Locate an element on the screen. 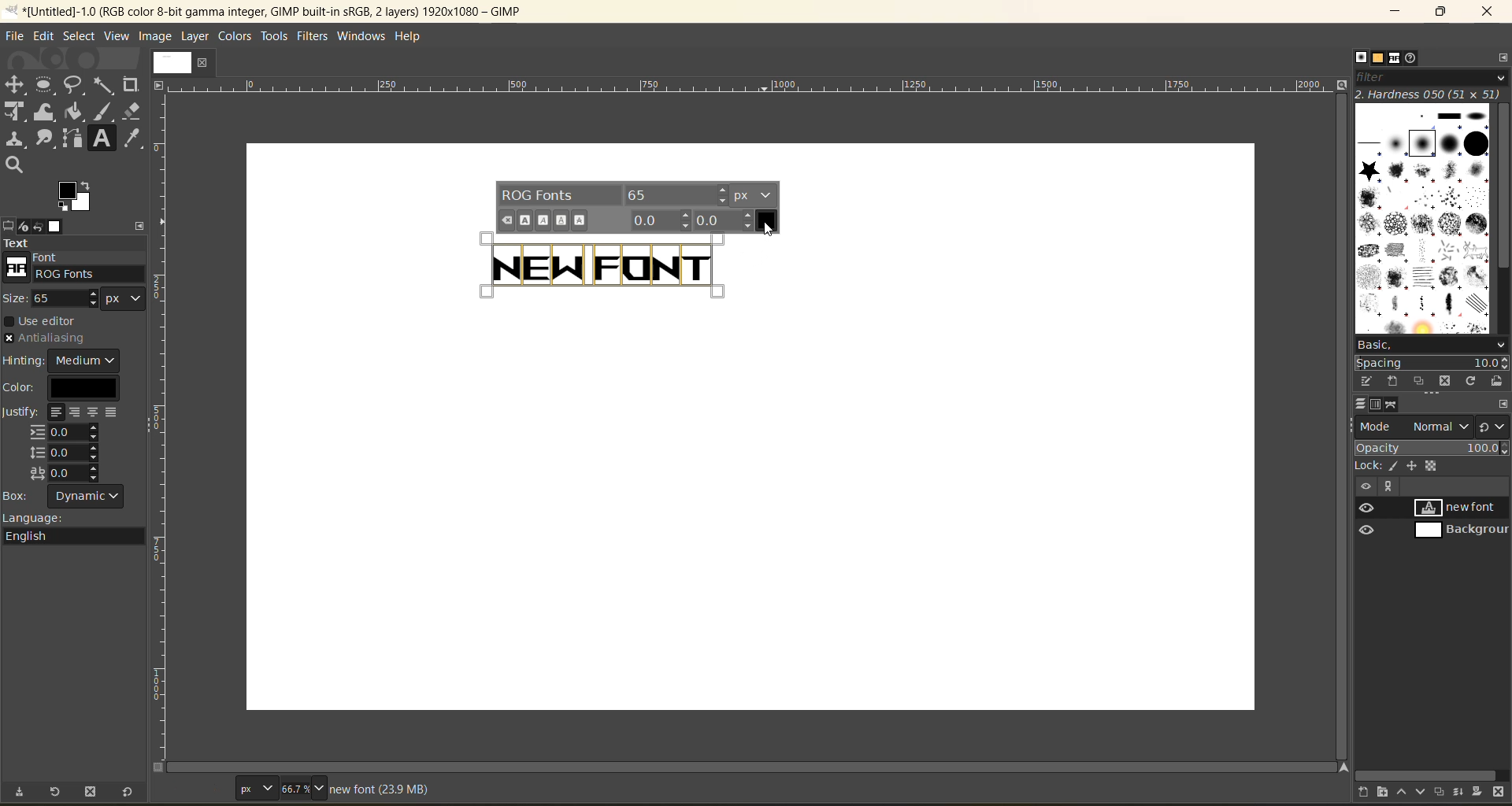 The height and width of the screenshot is (806, 1512). help is located at coordinates (416, 39).